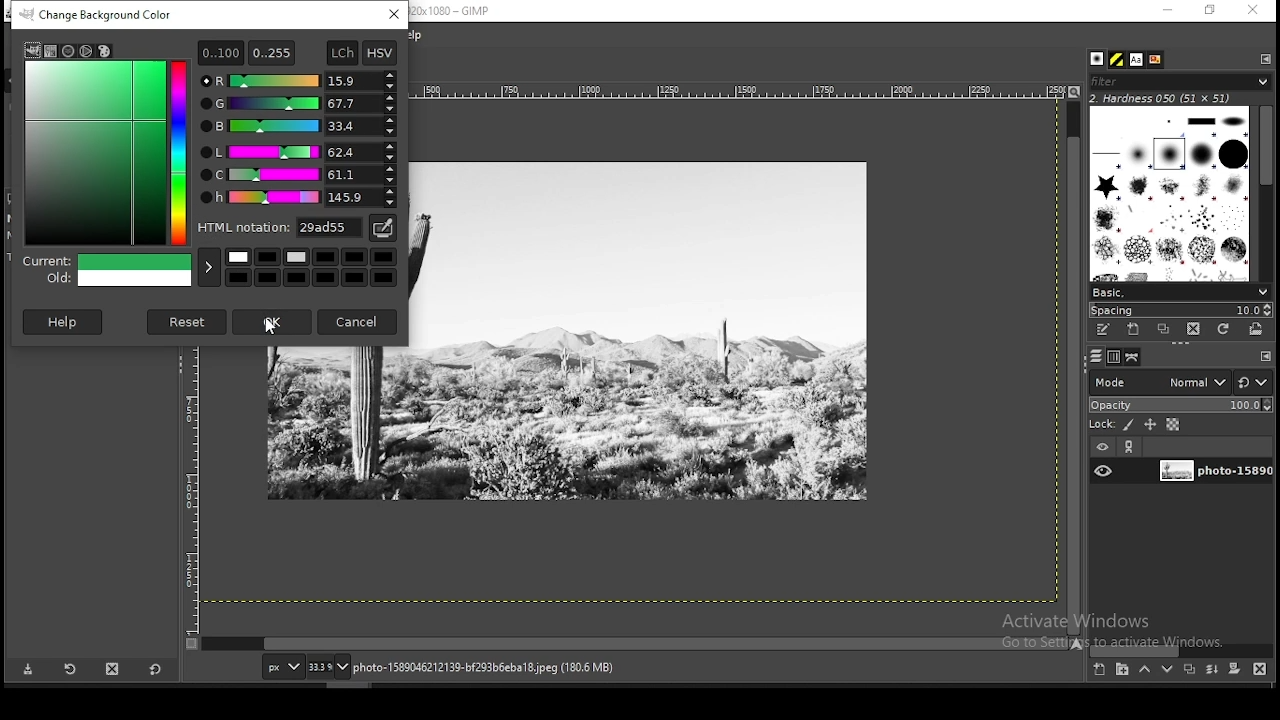 The width and height of the screenshot is (1280, 720). Describe the element at coordinates (272, 50) in the screenshot. I see `0.255` at that location.